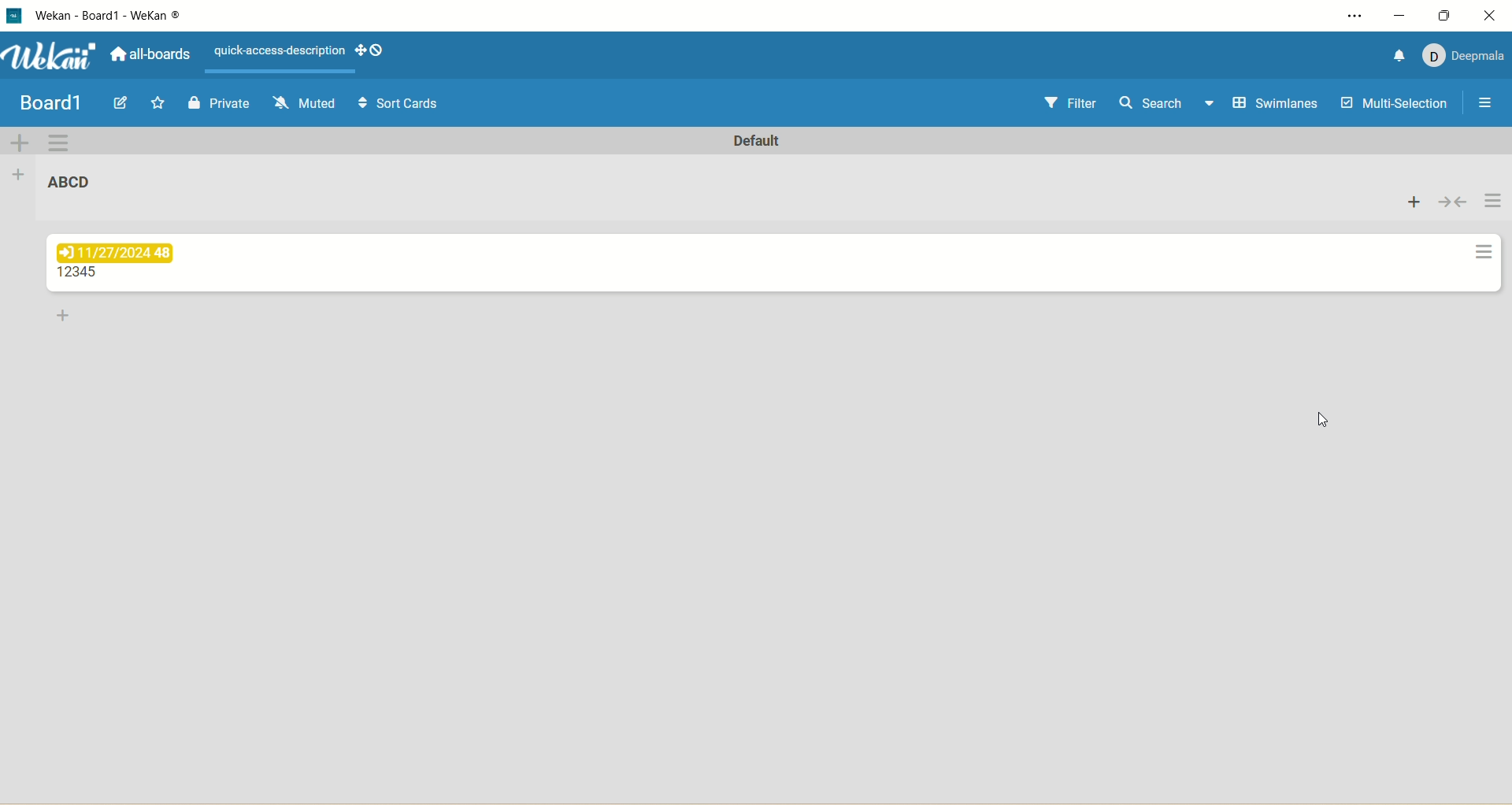 This screenshot has height=805, width=1512. What do you see at coordinates (21, 142) in the screenshot?
I see `add swimlane` at bounding box center [21, 142].